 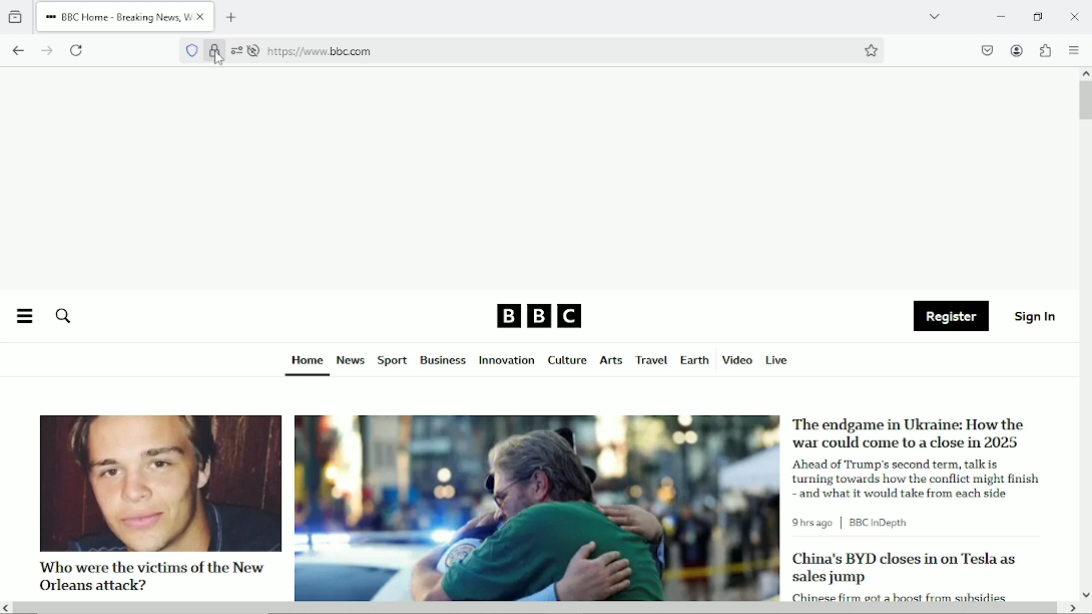 What do you see at coordinates (321, 51) in the screenshot?
I see `https://www bbc.com` at bounding box center [321, 51].